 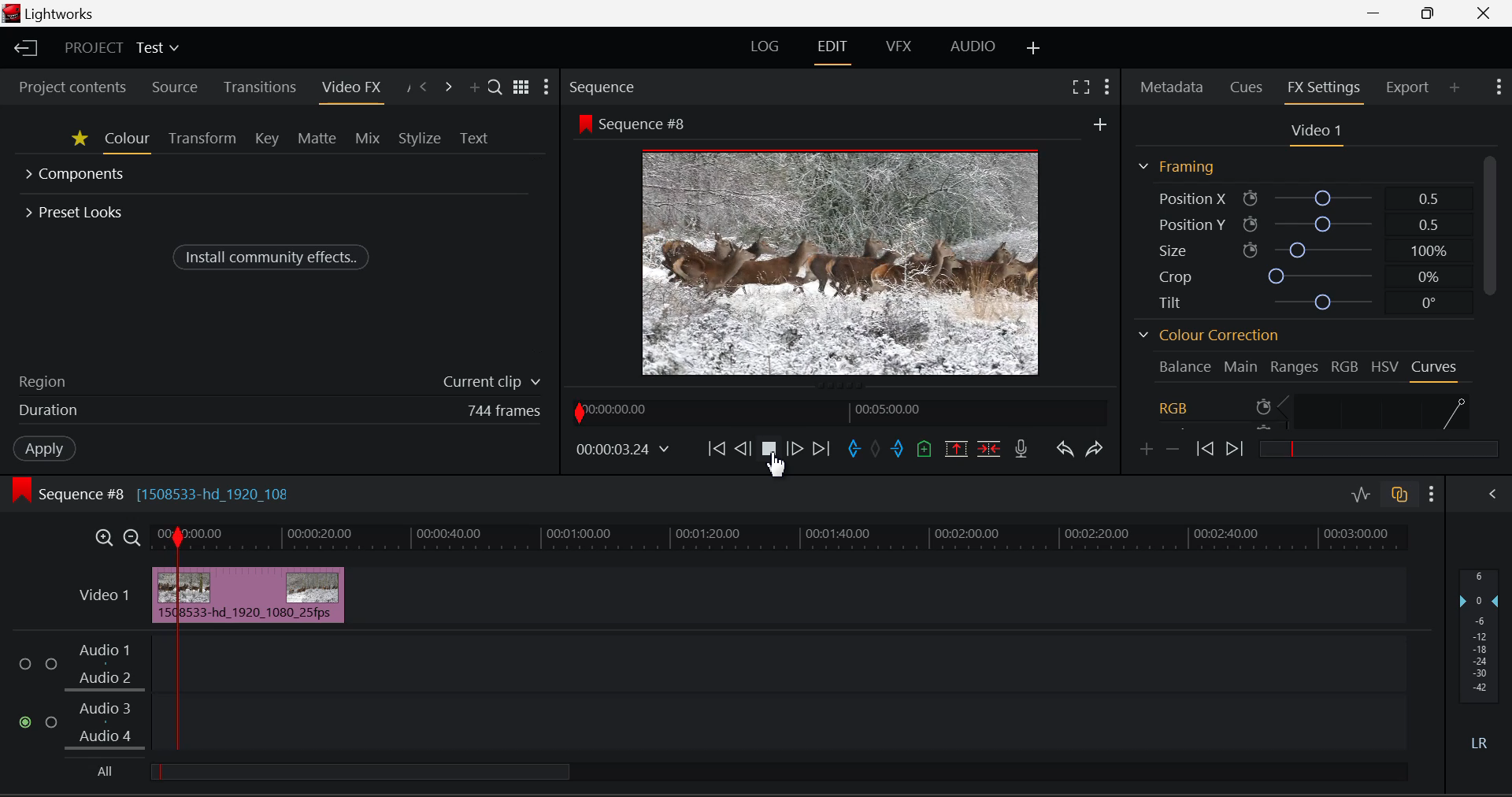 I want to click on Sequence Preview Section, so click(x=603, y=87).